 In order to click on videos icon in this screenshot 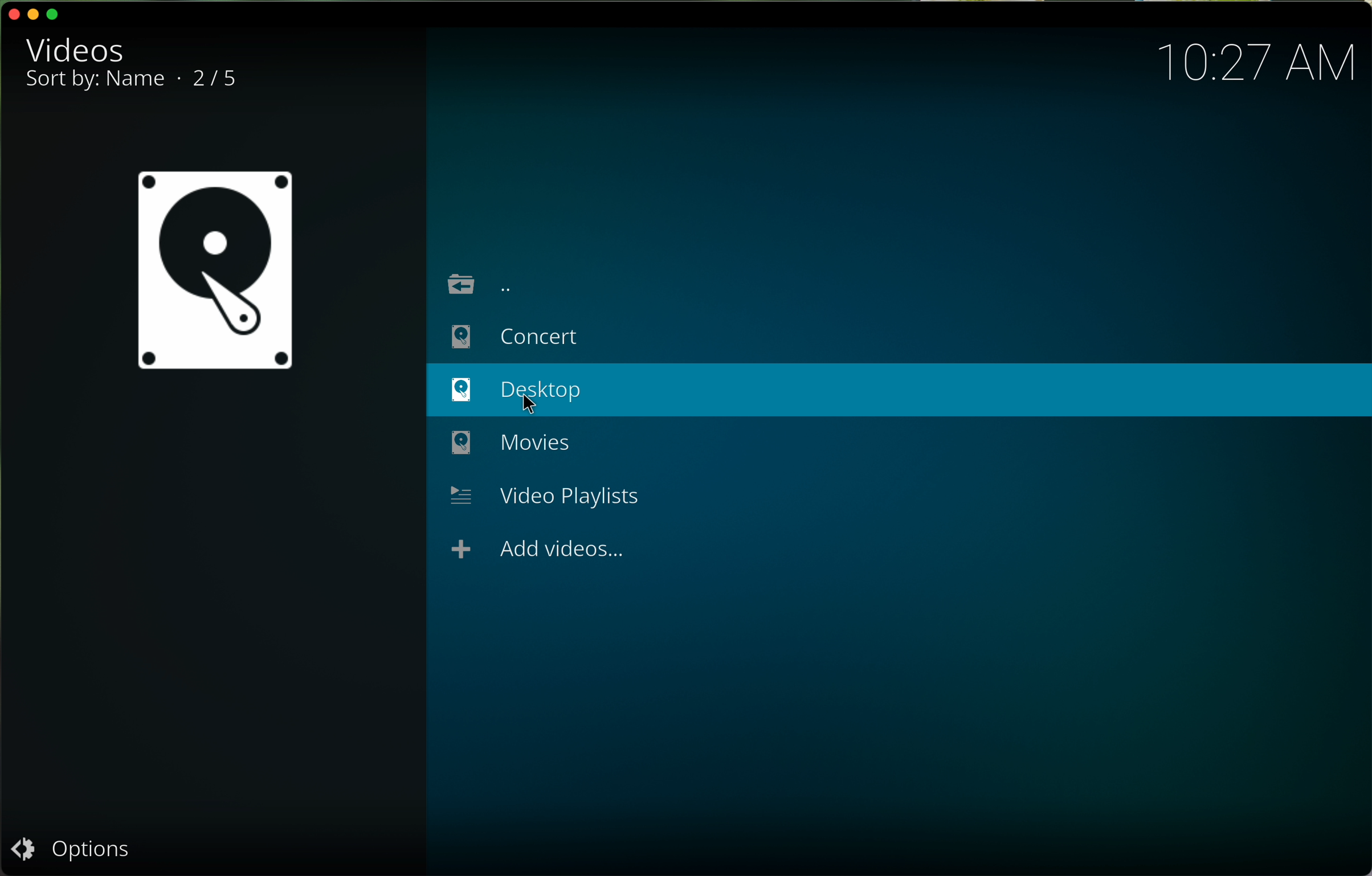, I will do `click(209, 272)`.